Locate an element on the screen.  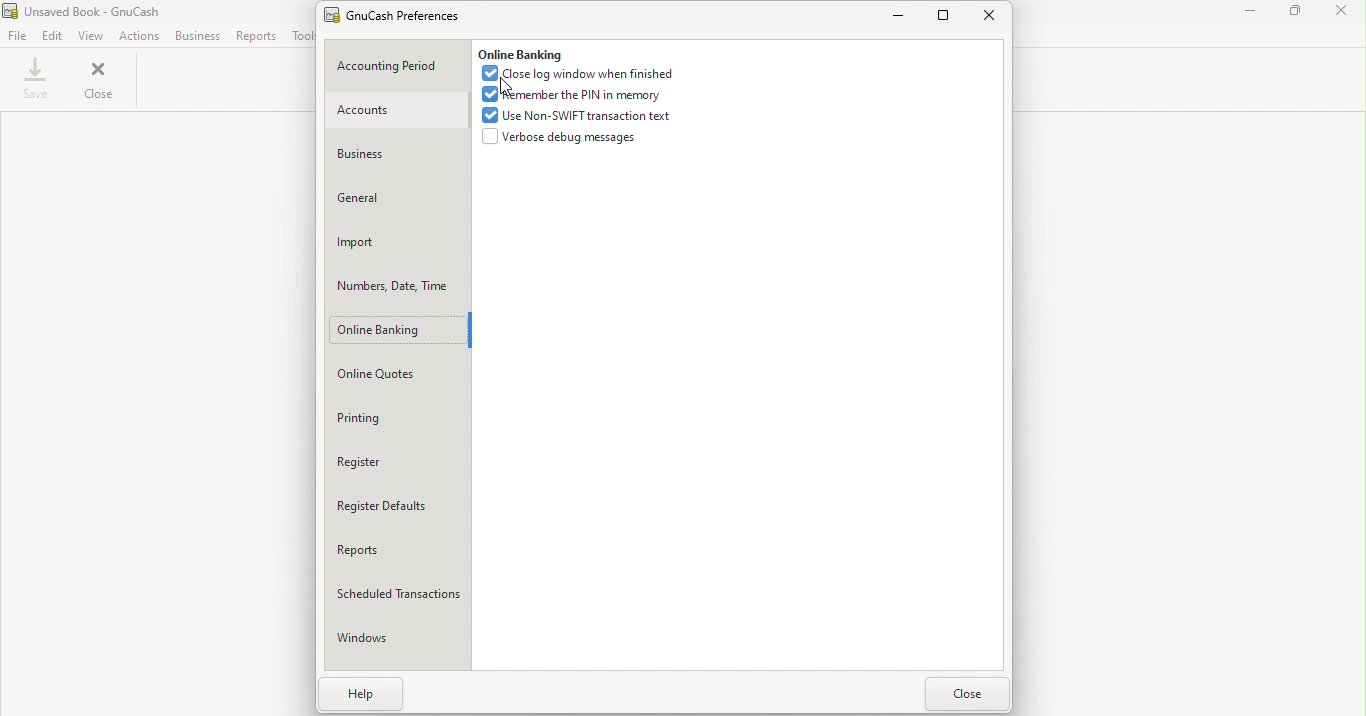
Close is located at coordinates (993, 17).